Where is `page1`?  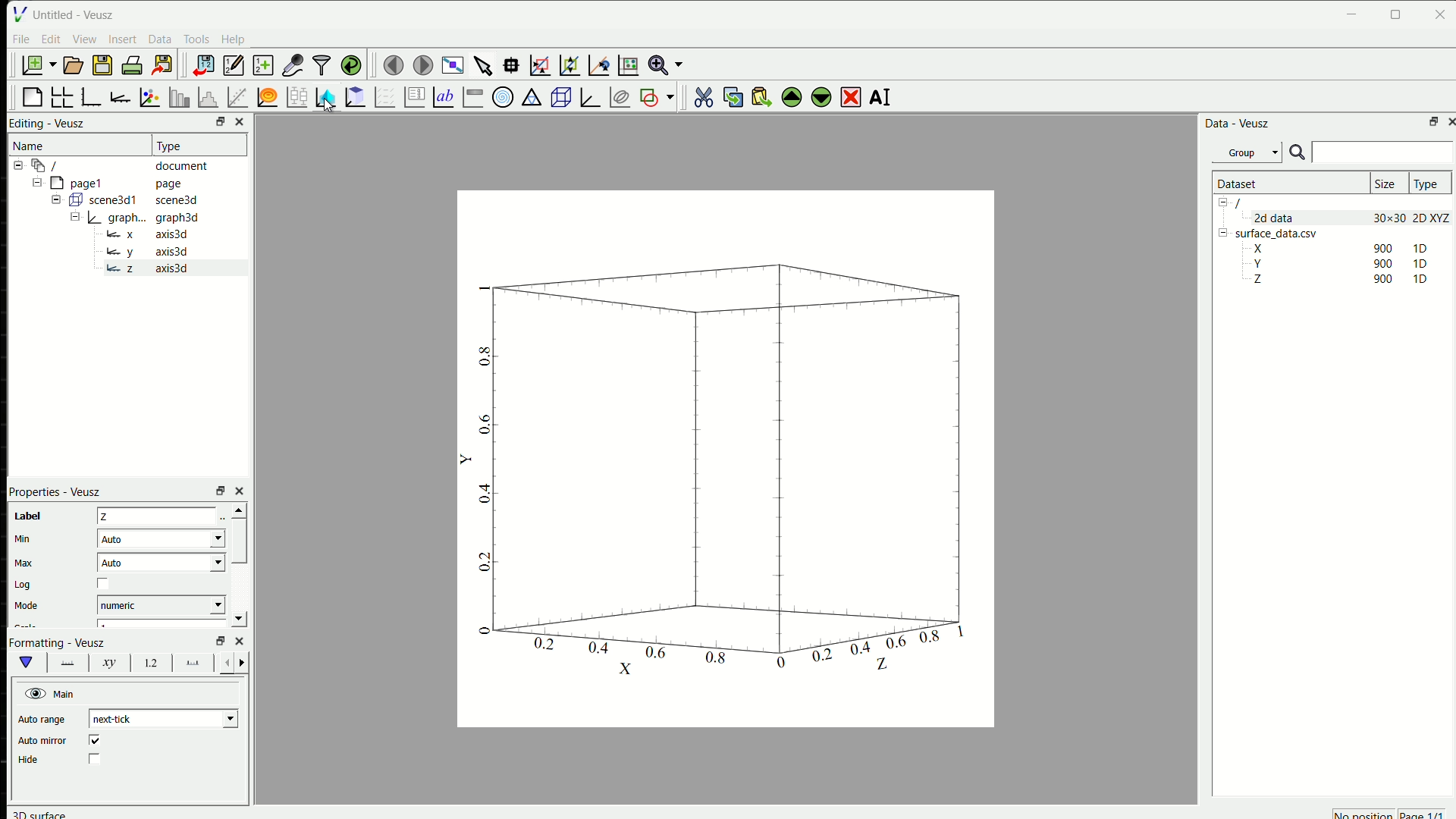 page1 is located at coordinates (77, 183).